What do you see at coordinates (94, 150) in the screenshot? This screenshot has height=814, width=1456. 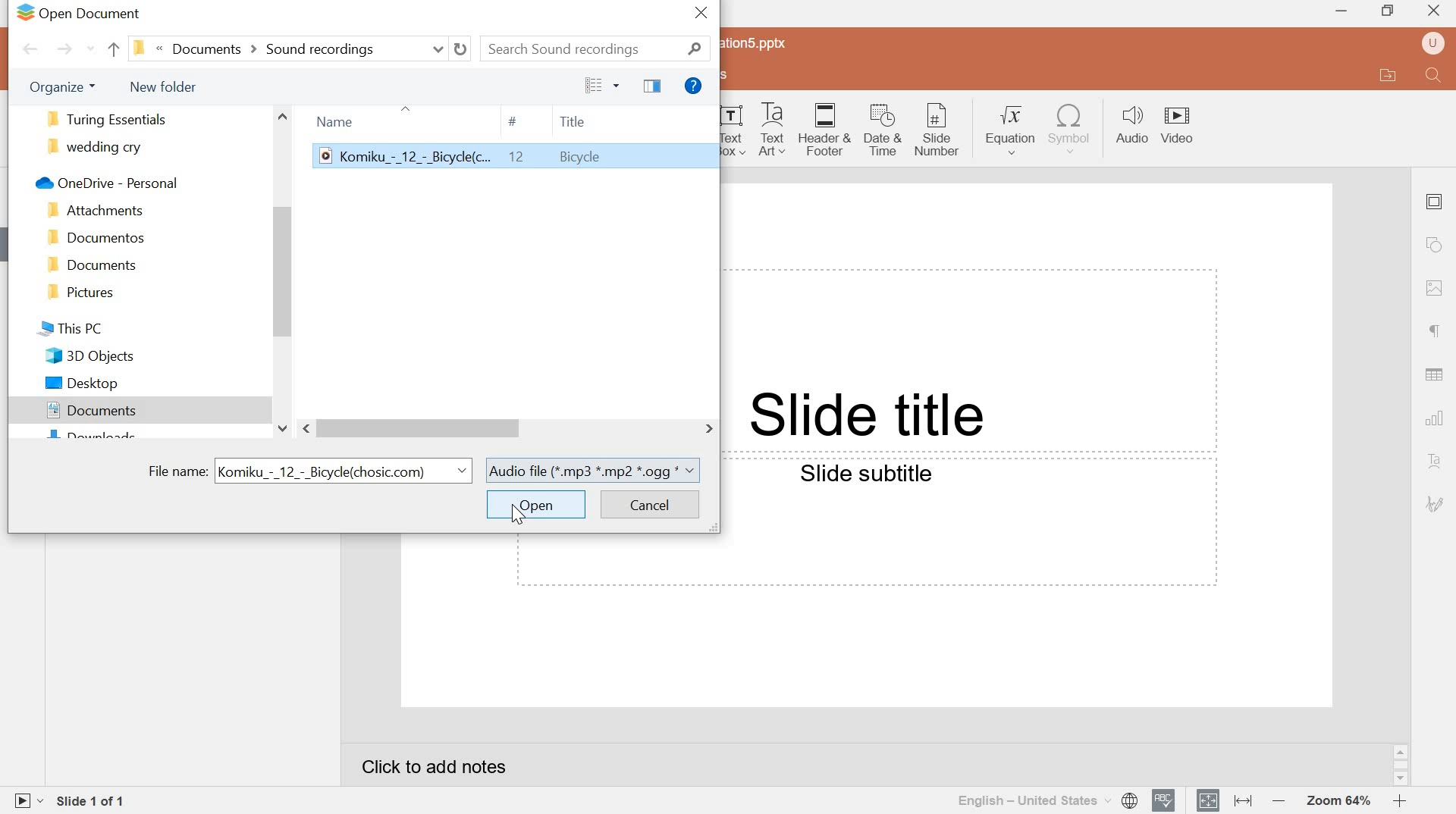 I see `wedding cry folder` at bounding box center [94, 150].